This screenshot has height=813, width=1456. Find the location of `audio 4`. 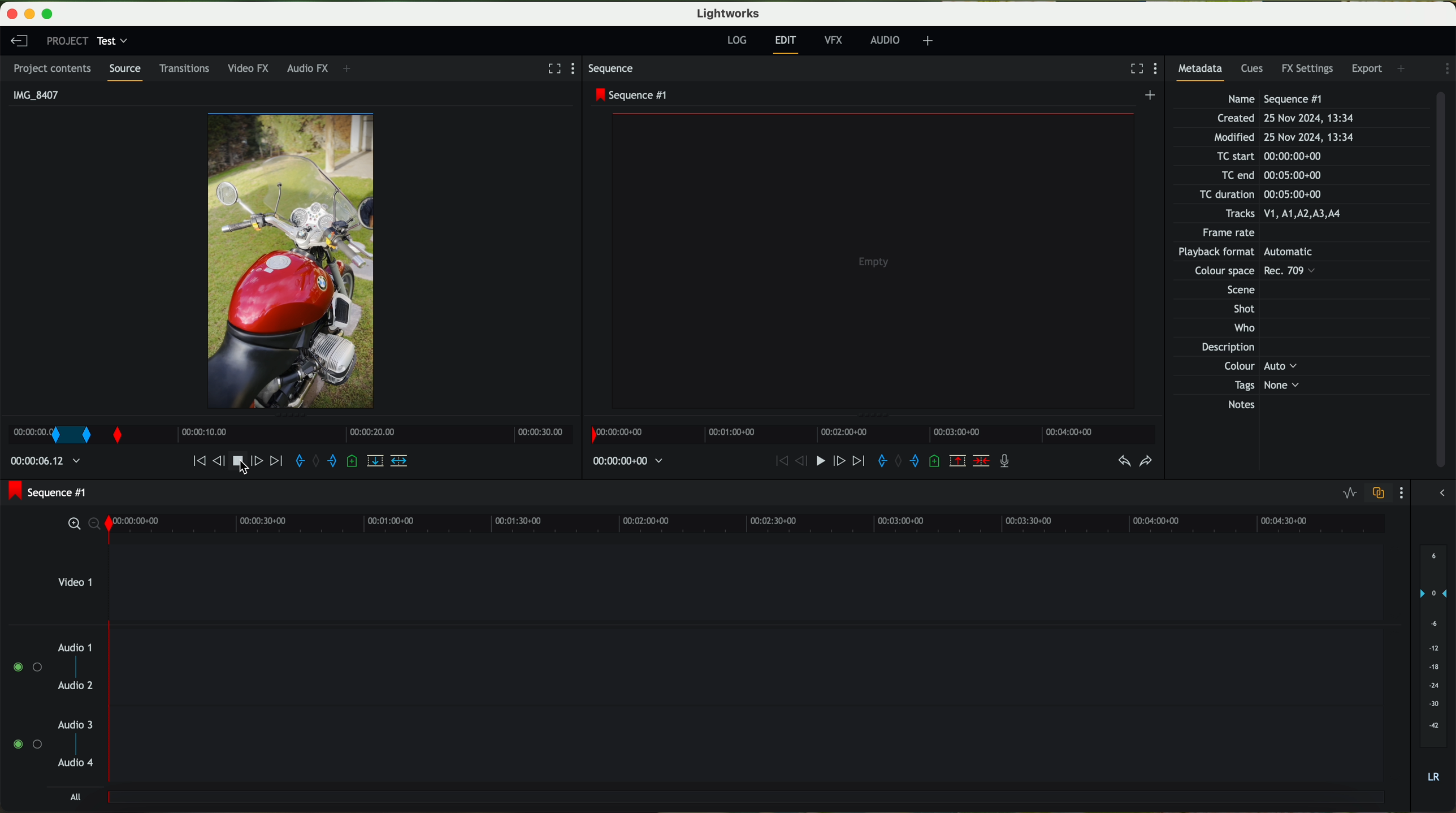

audio 4 is located at coordinates (76, 766).